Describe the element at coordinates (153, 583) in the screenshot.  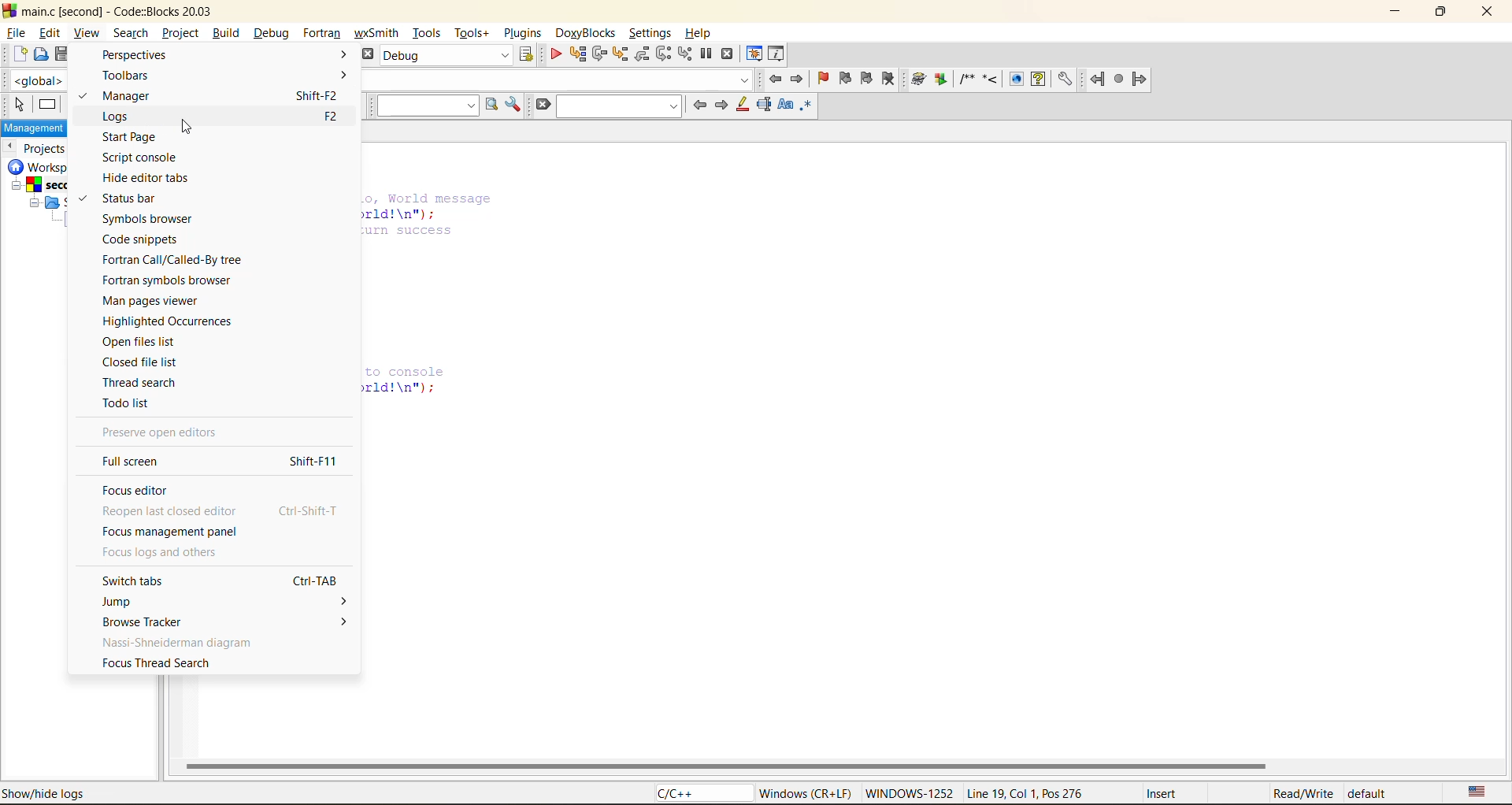
I see `switch tabs` at that location.